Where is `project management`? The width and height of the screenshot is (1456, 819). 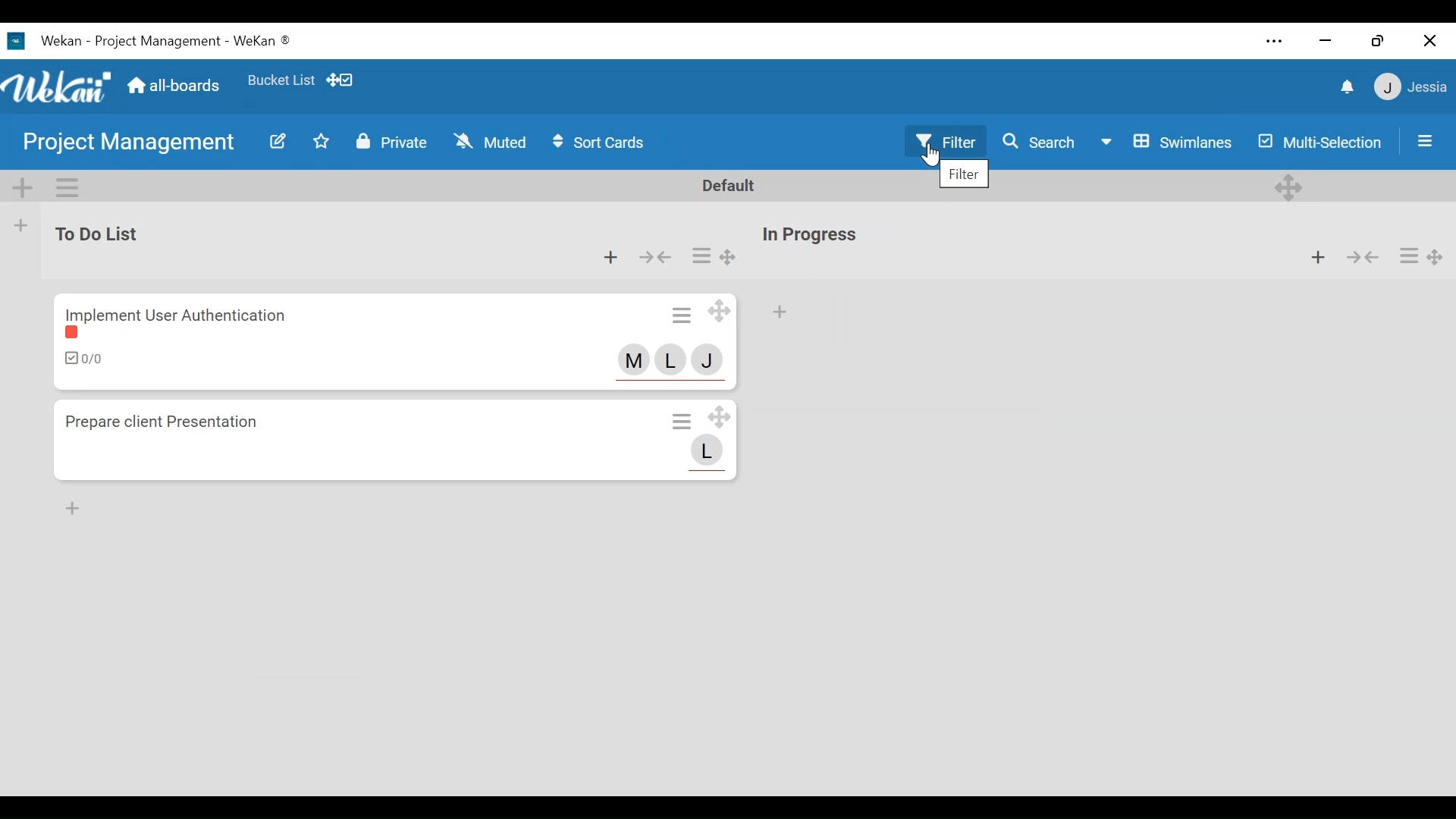 project management is located at coordinates (128, 141).